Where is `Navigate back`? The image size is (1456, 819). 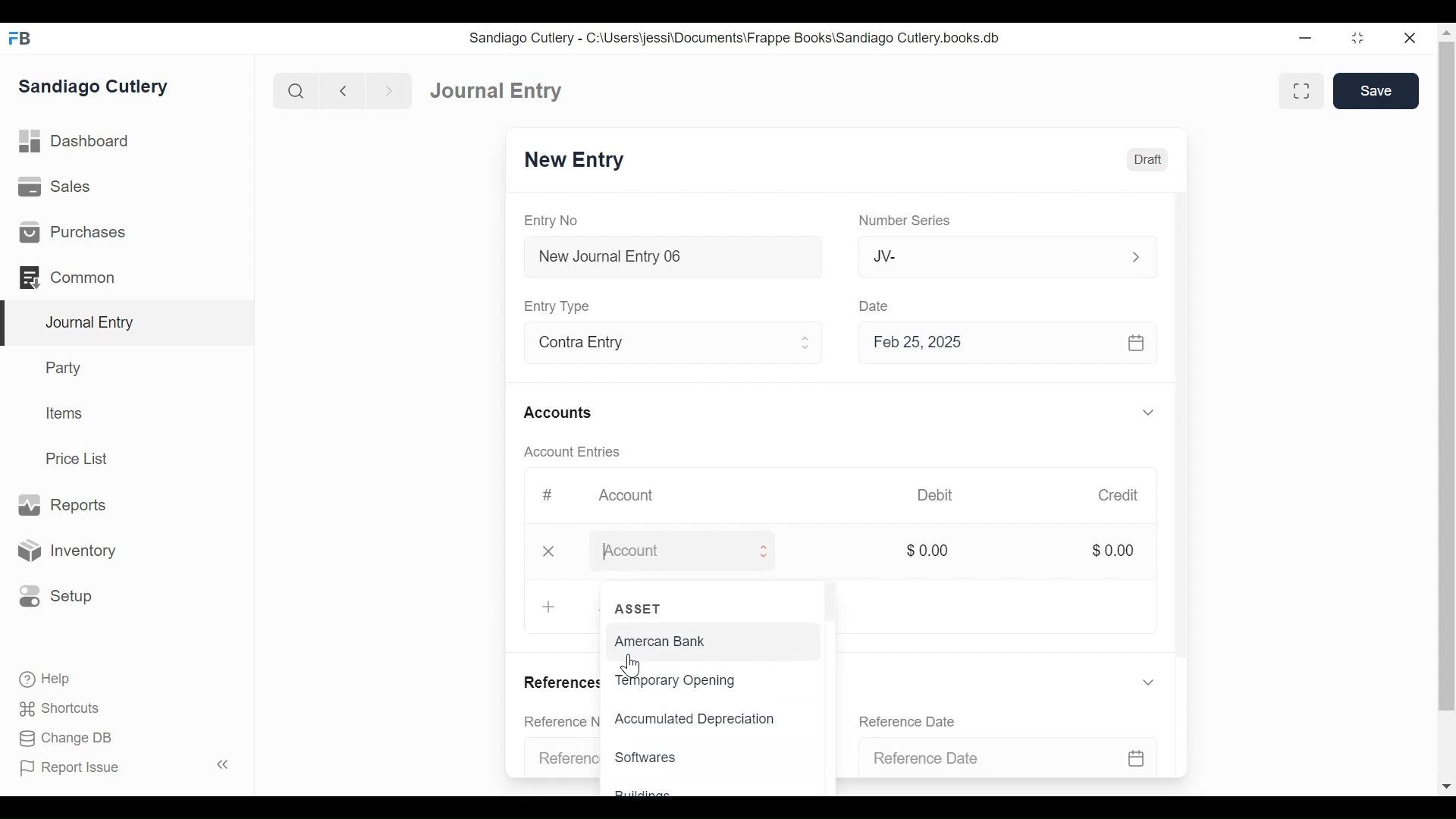 Navigate back is located at coordinates (343, 93).